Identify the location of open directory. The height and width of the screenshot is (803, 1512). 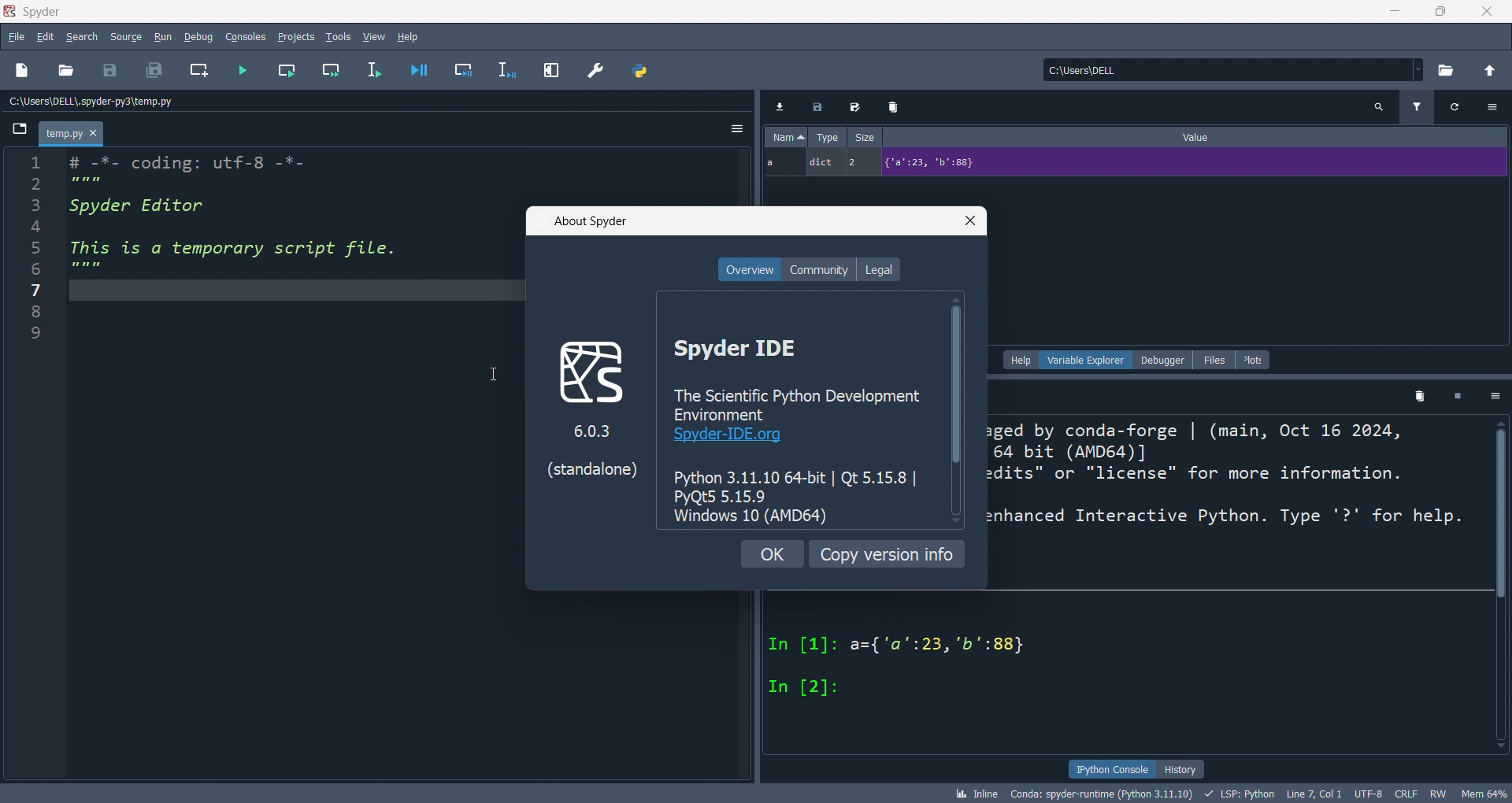
(1448, 68).